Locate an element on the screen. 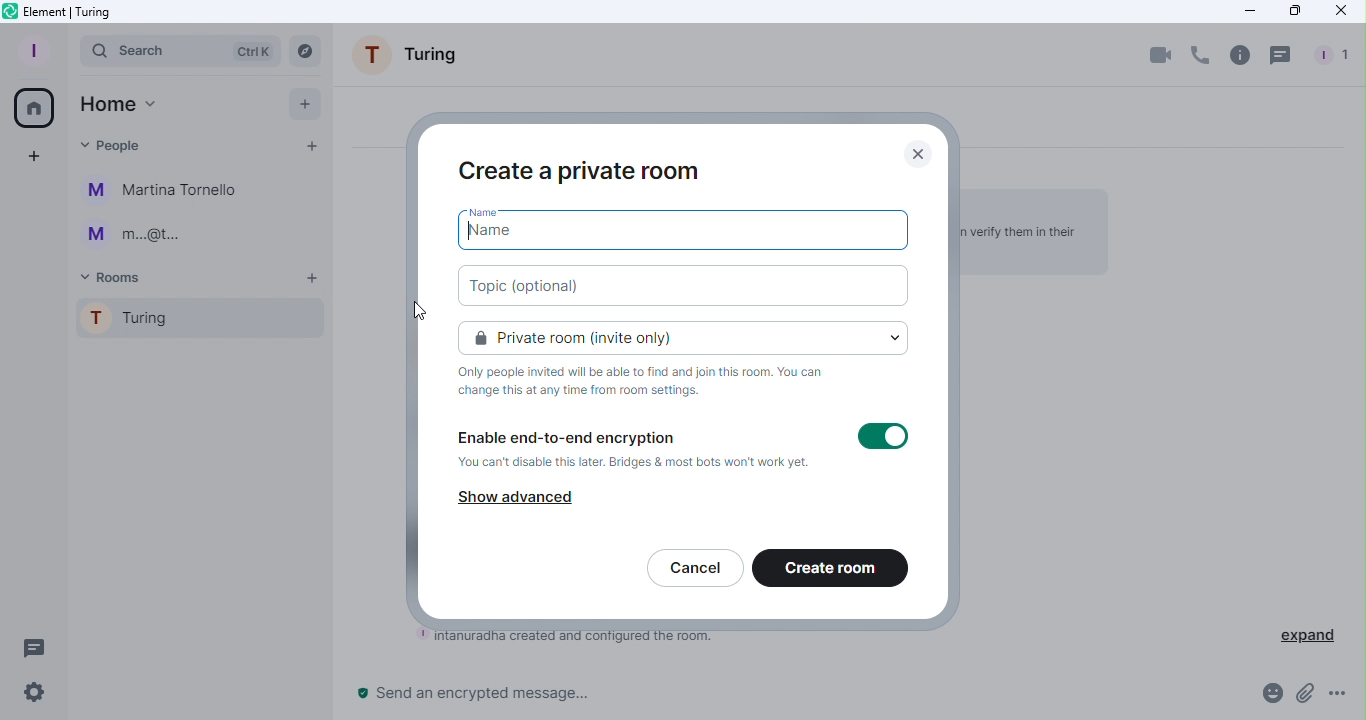  name is located at coordinates (508, 235).